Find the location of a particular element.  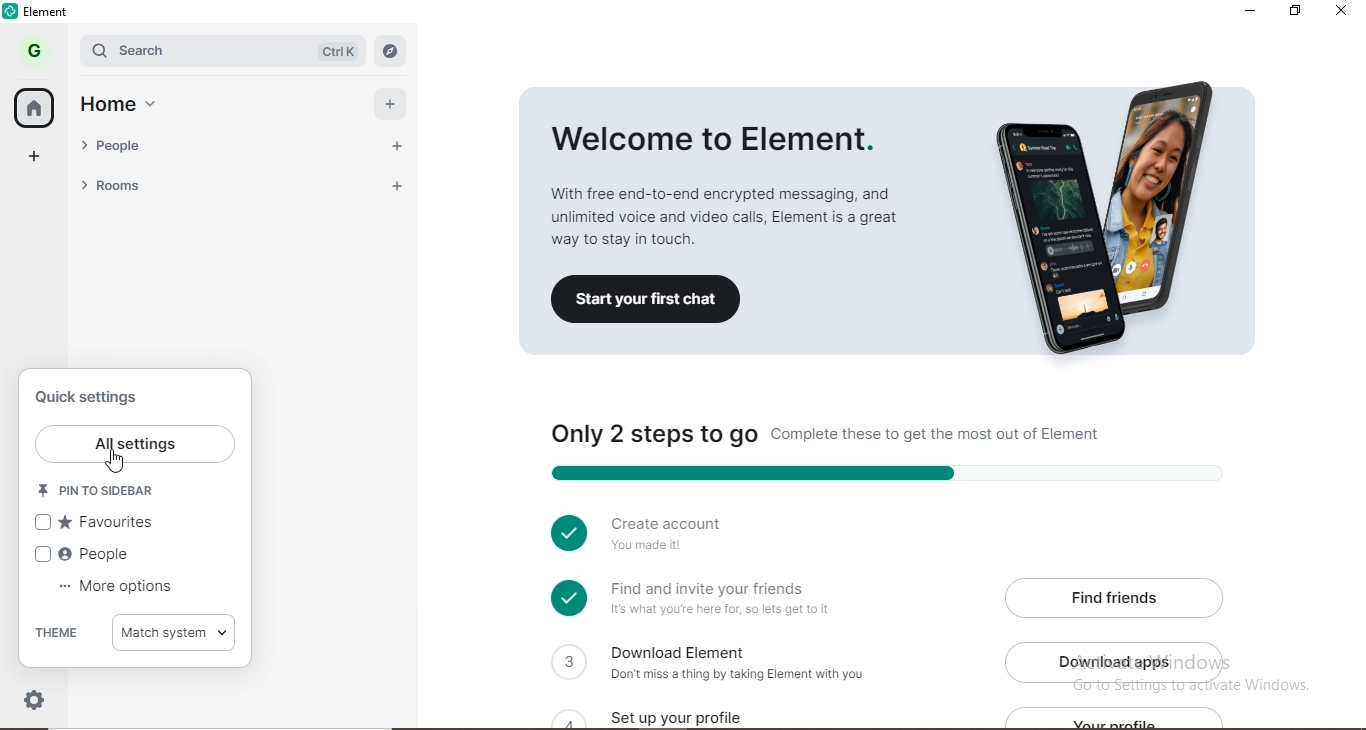

People is located at coordinates (85, 557).